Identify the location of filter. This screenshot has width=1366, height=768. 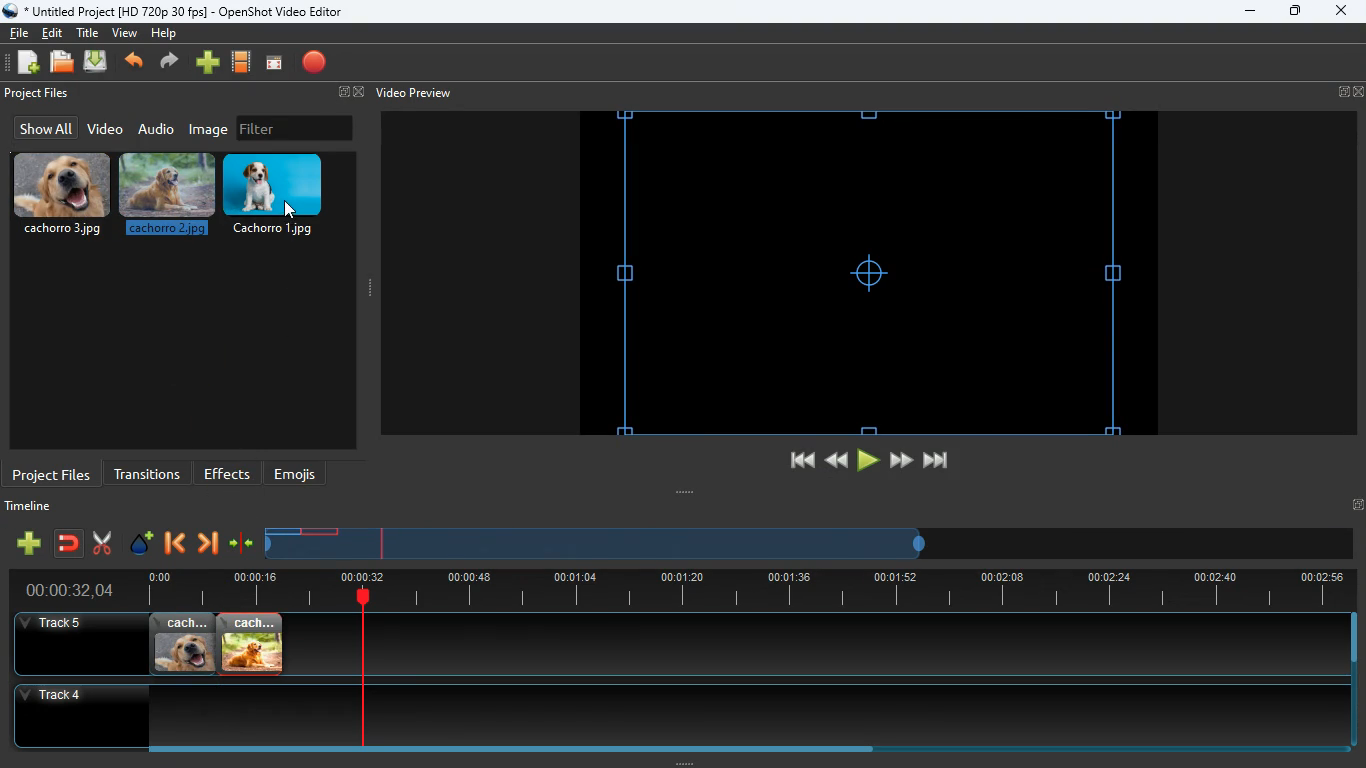
(295, 128).